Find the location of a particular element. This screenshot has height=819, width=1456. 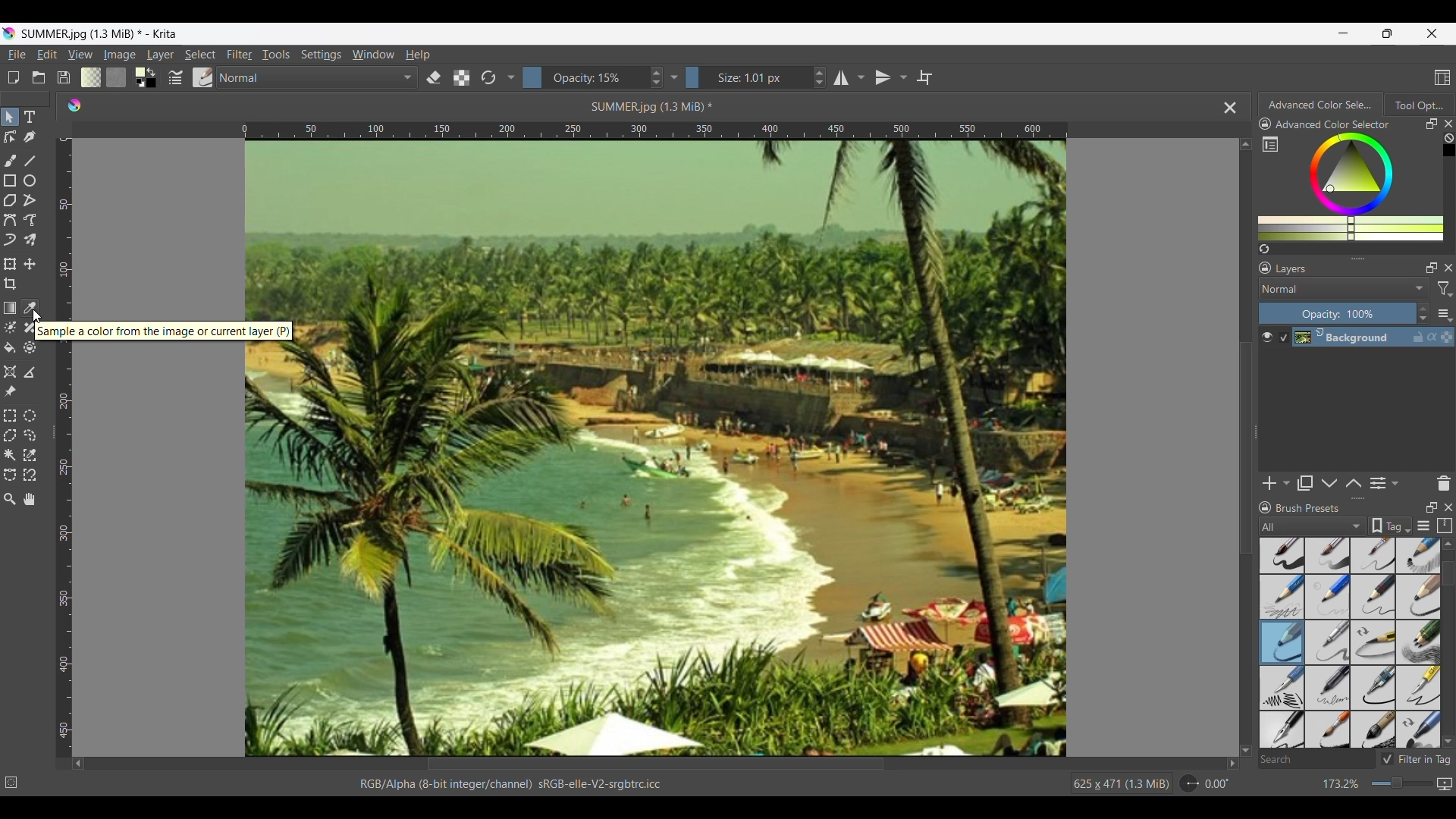

Freehand path tool is located at coordinates (30, 220).